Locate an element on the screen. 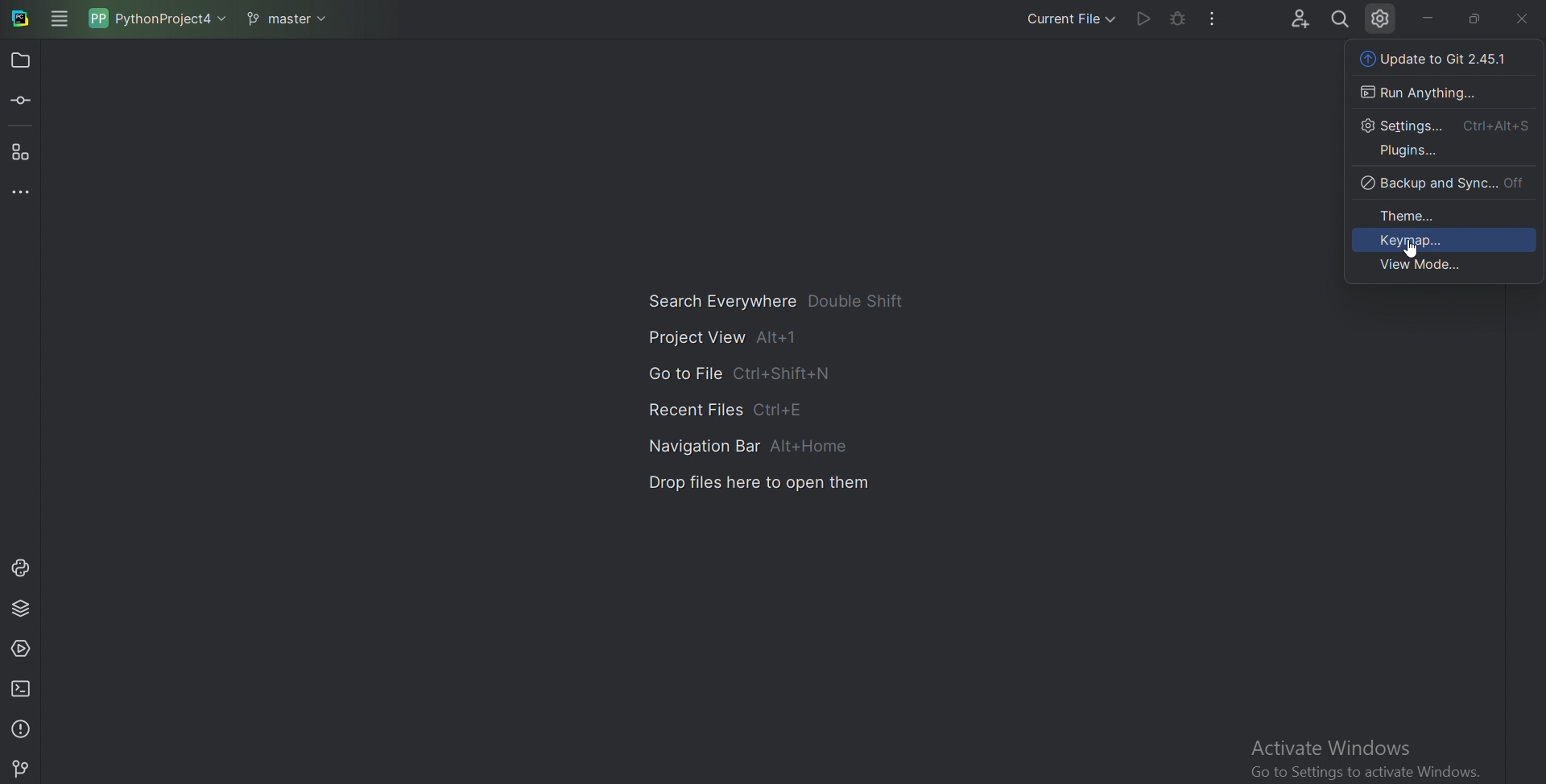 Image resolution: width=1546 pixels, height=784 pixels. Python package is located at coordinates (23, 607).